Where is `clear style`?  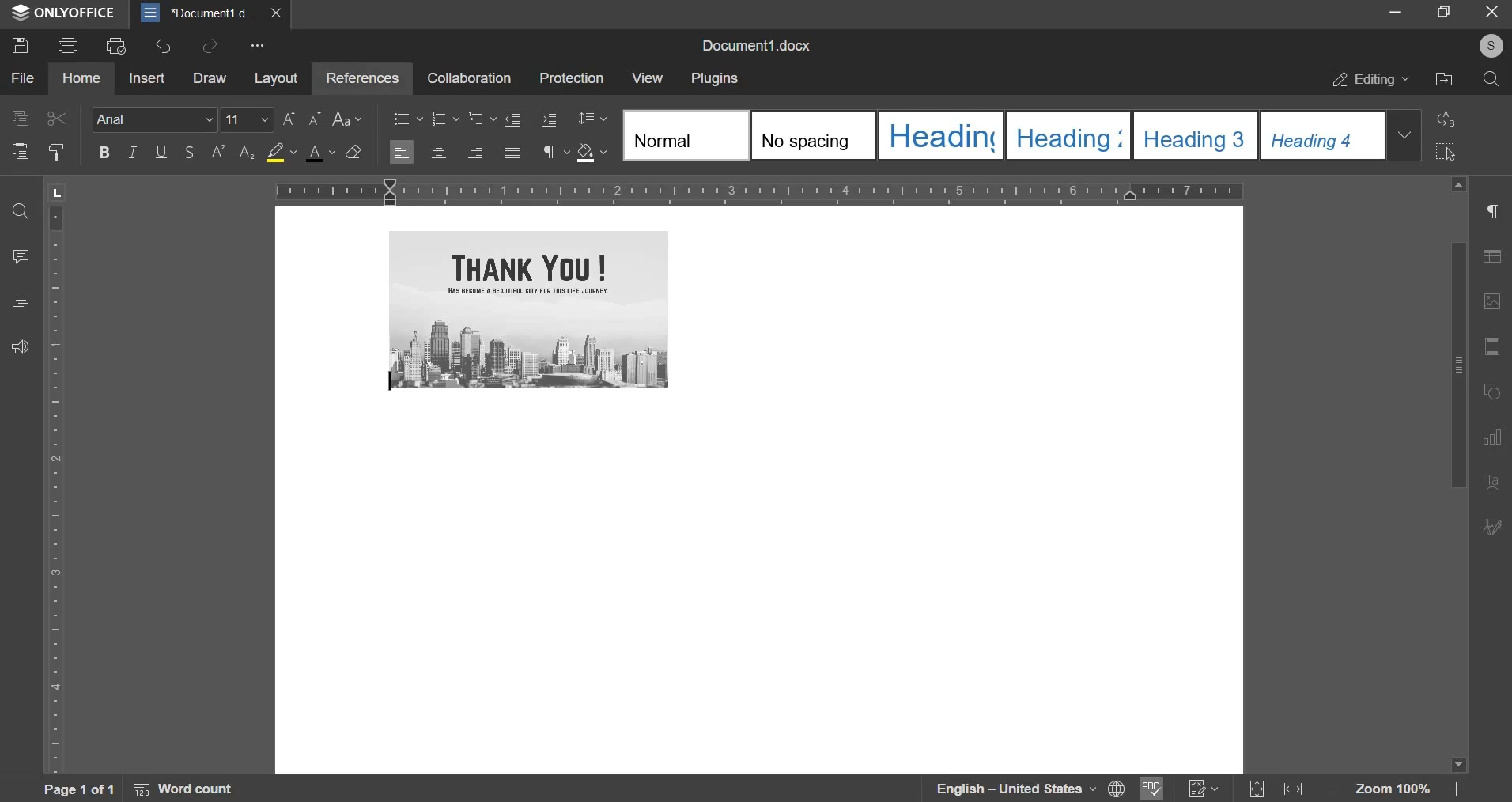 clear style is located at coordinates (594, 152).